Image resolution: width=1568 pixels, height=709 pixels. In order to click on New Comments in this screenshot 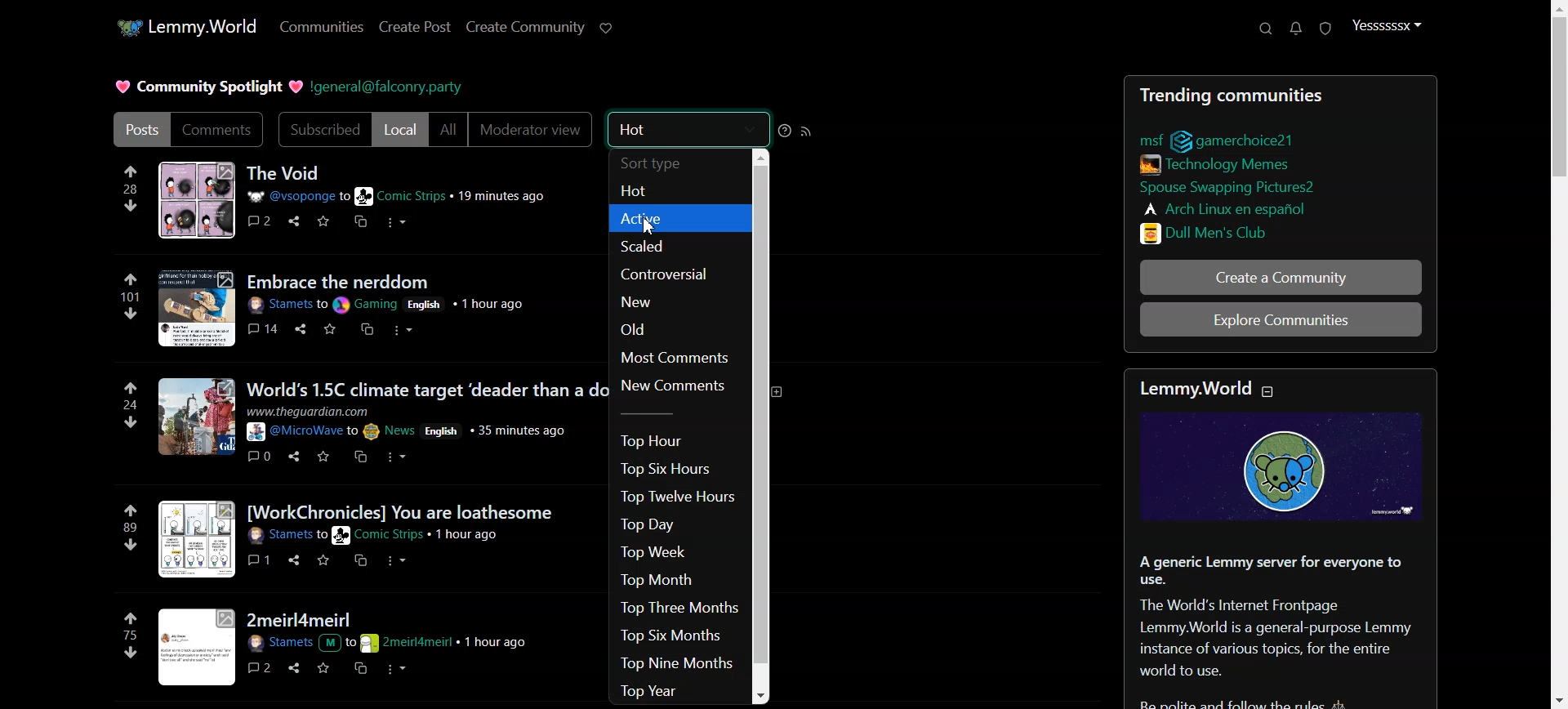, I will do `click(675, 384)`.